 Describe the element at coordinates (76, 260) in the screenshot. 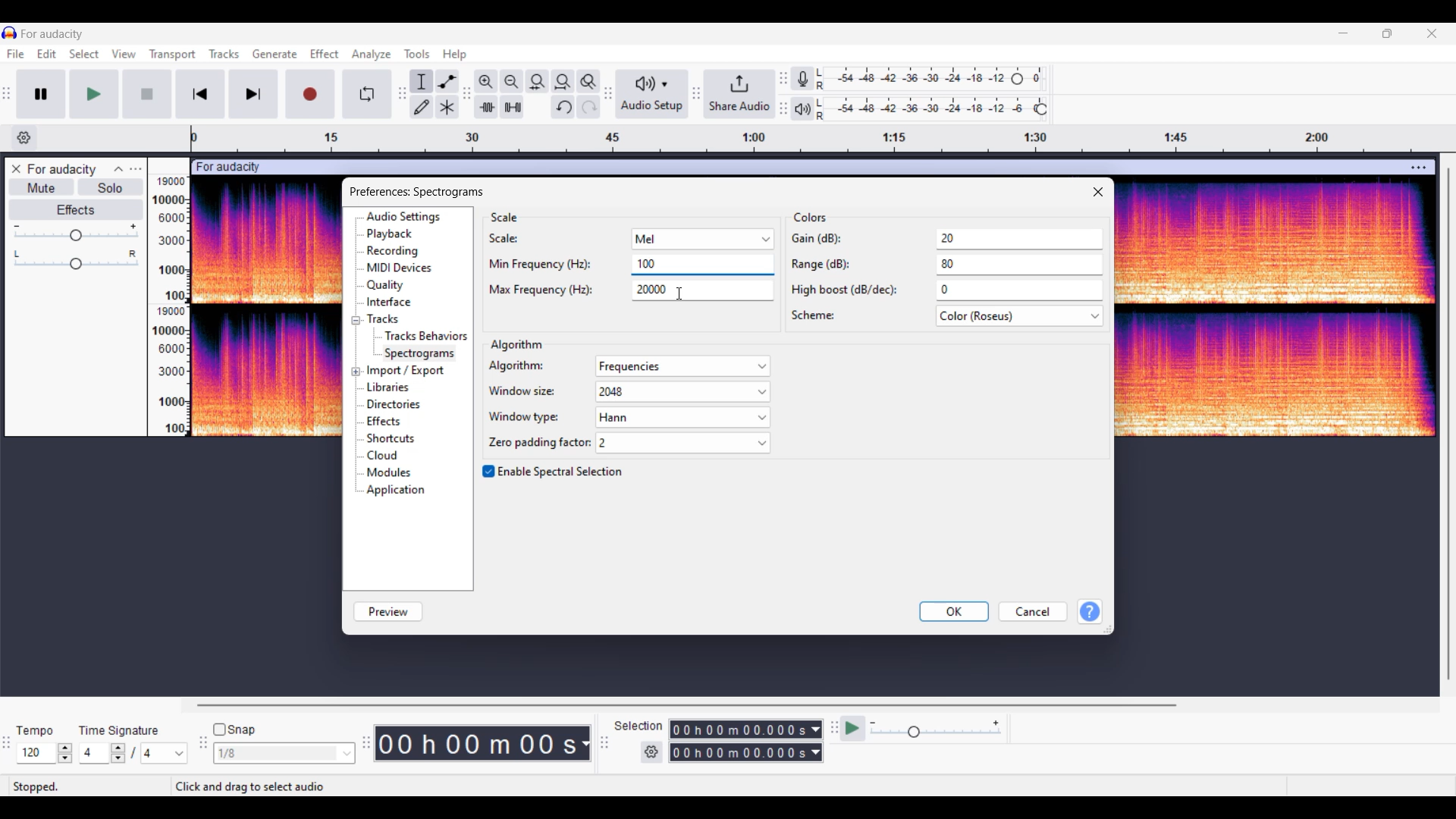

I see `Pan slider` at that location.